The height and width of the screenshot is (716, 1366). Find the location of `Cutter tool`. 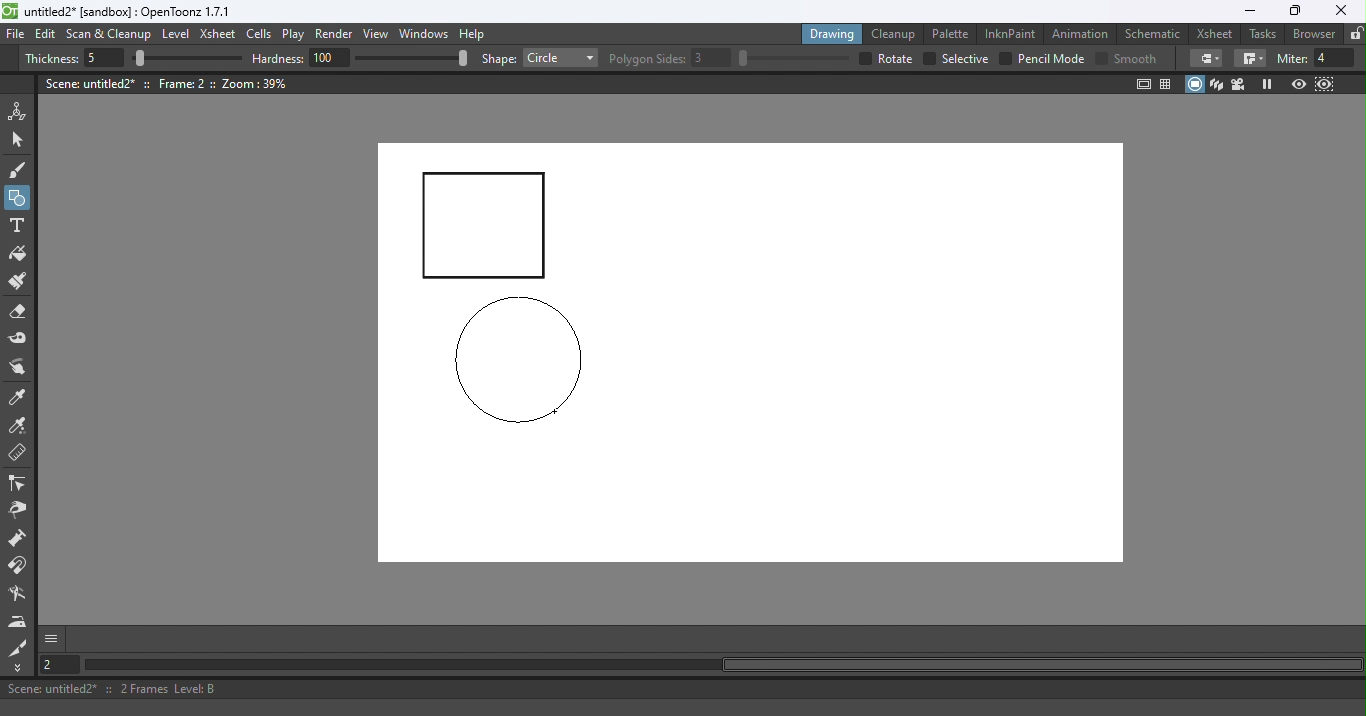

Cutter tool is located at coordinates (18, 647).